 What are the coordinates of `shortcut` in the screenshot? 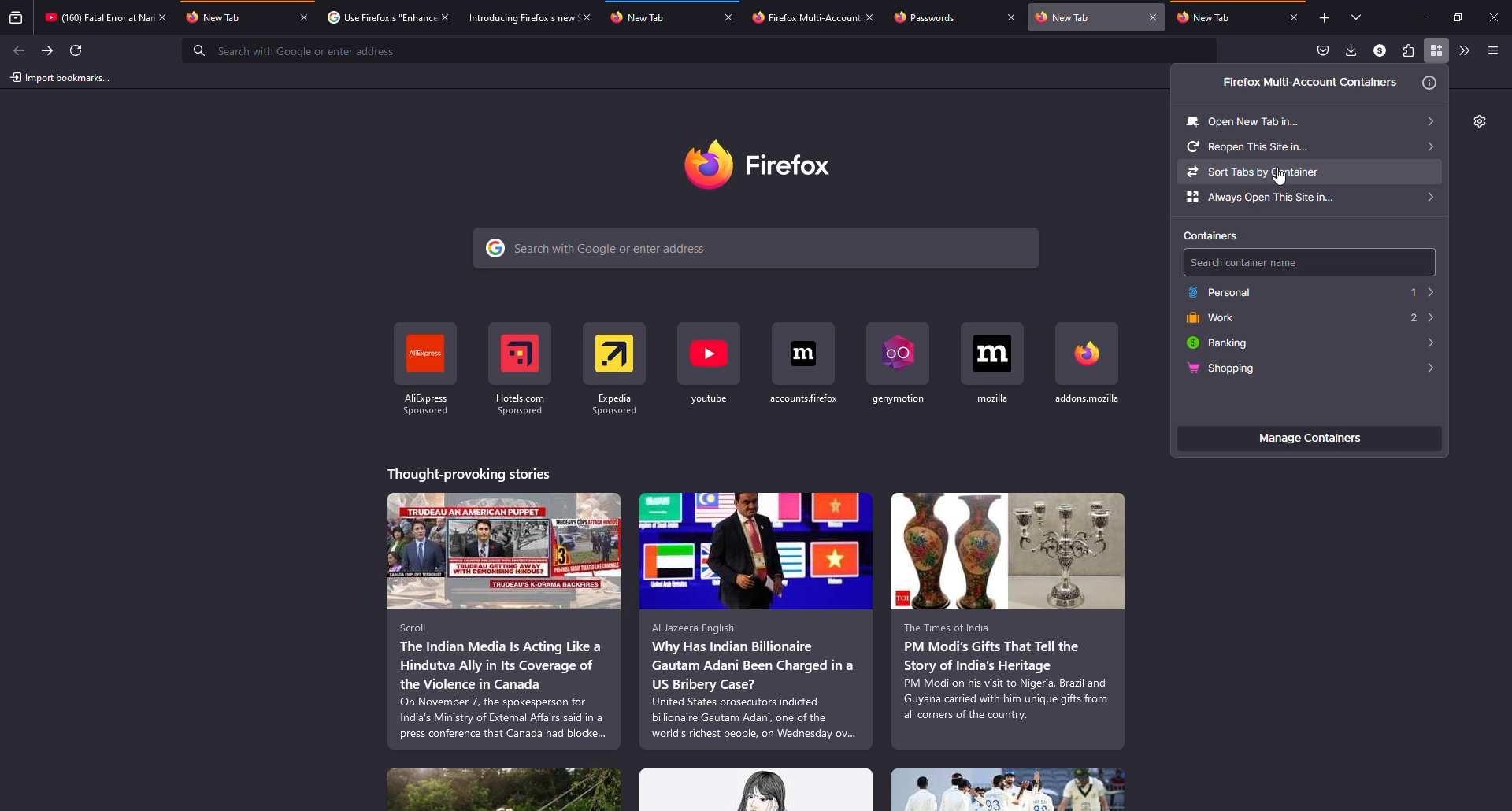 It's located at (521, 367).